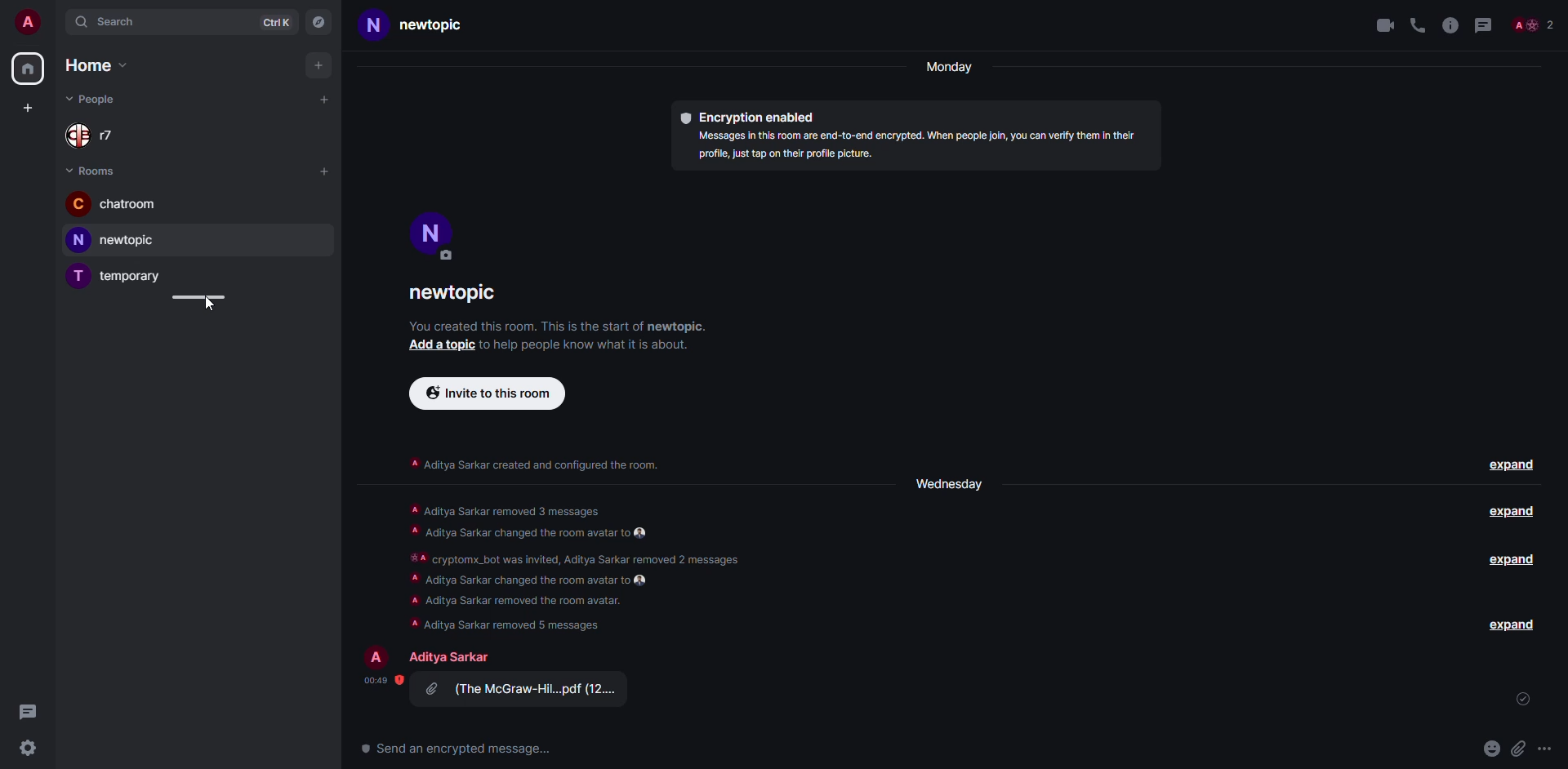 This screenshot has width=1568, height=769. I want to click on set, so click(1524, 701).